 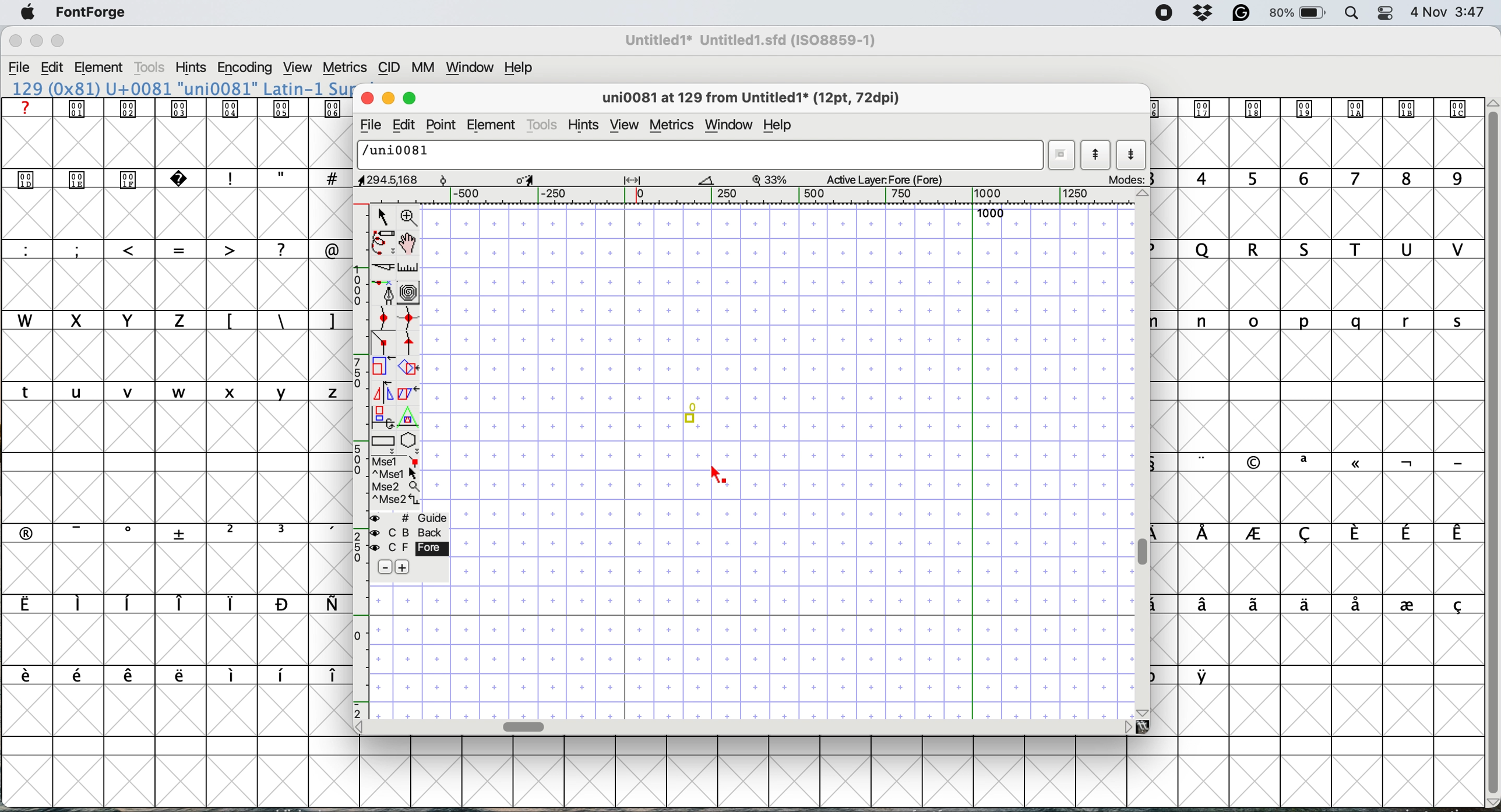 I want to click on Measure Tool, so click(x=708, y=181).